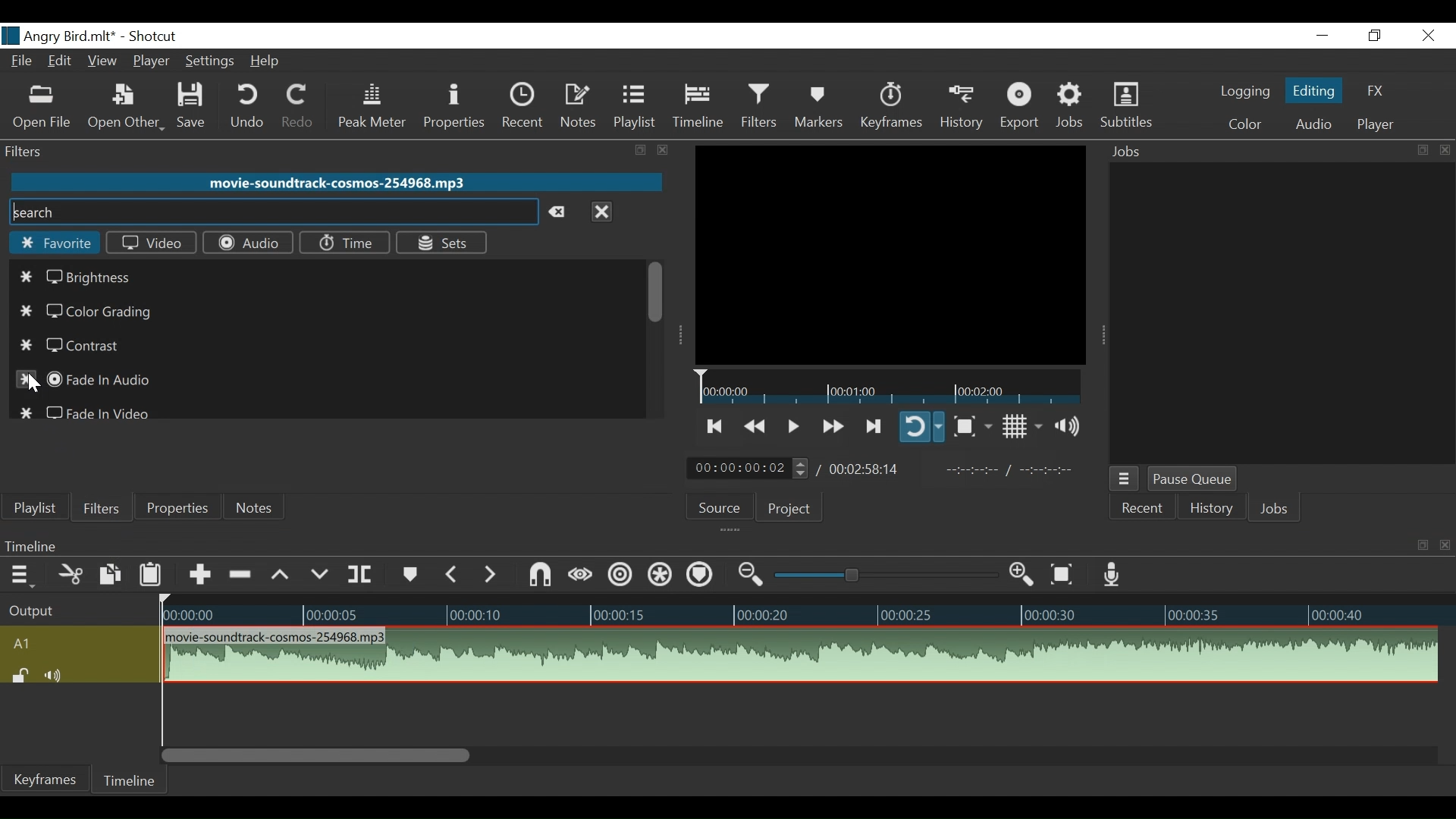  I want to click on Cut, so click(67, 573).